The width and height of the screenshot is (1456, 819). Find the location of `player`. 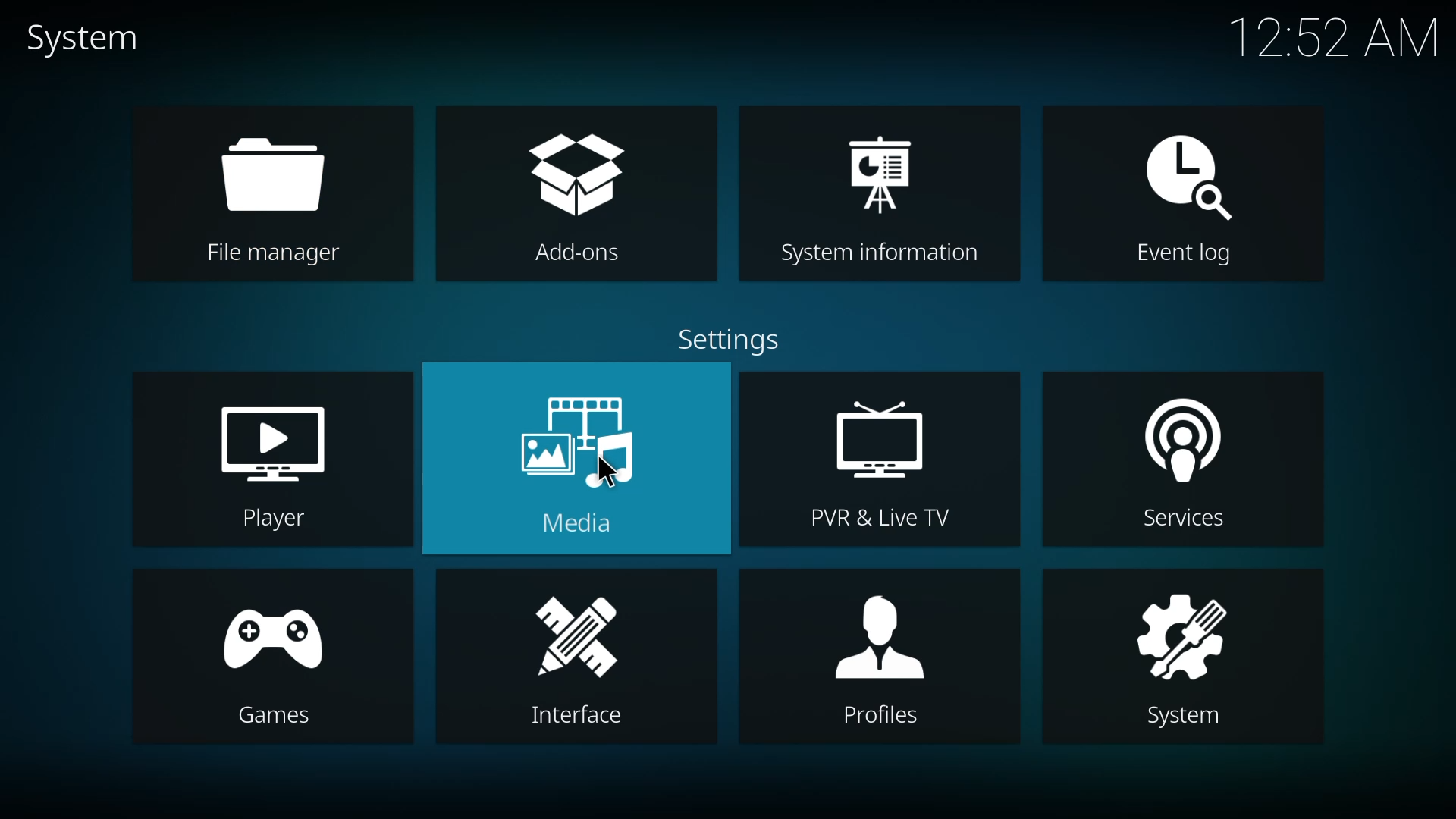

player is located at coordinates (275, 439).